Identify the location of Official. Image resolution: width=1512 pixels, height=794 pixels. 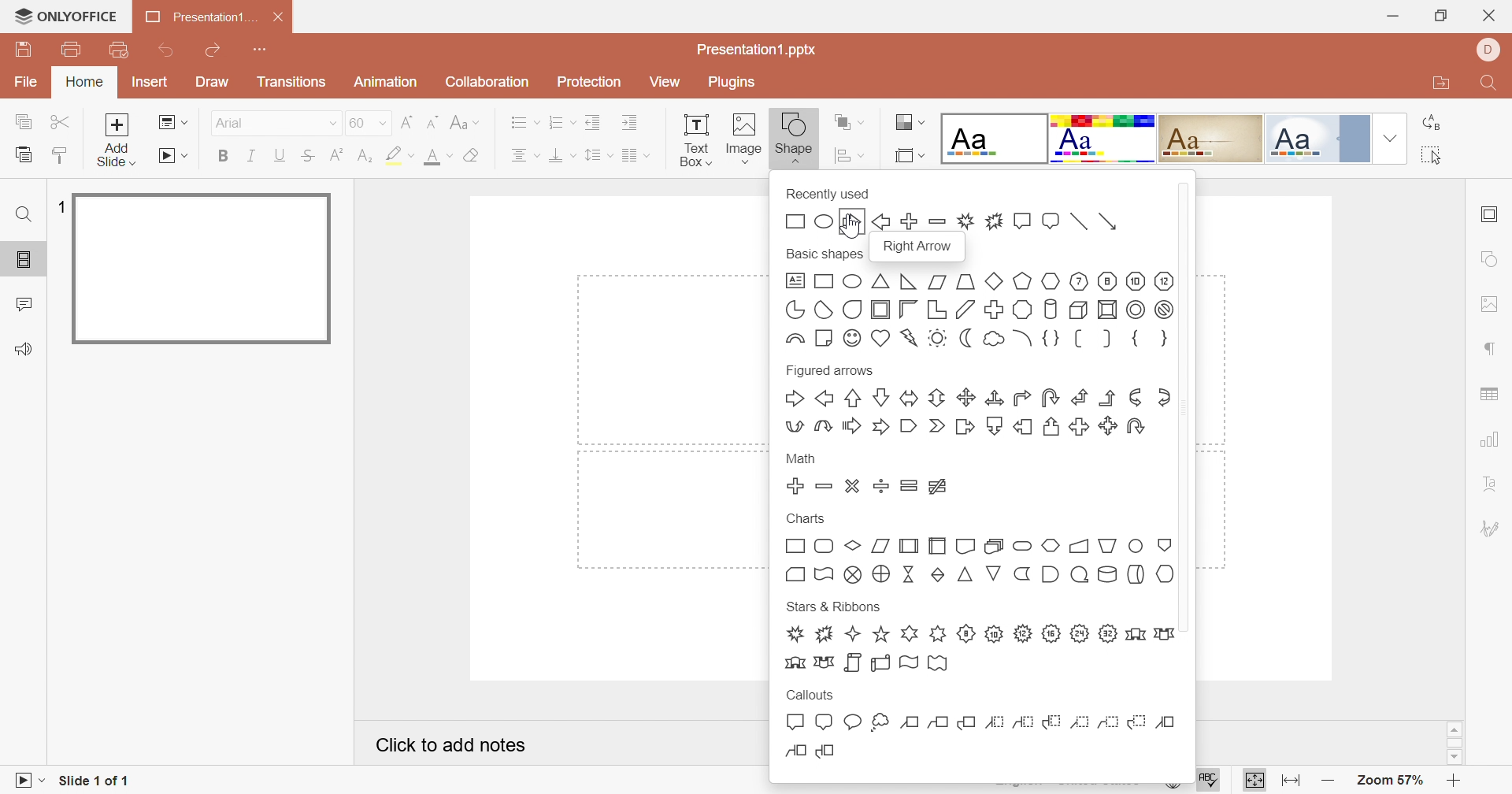
(1316, 139).